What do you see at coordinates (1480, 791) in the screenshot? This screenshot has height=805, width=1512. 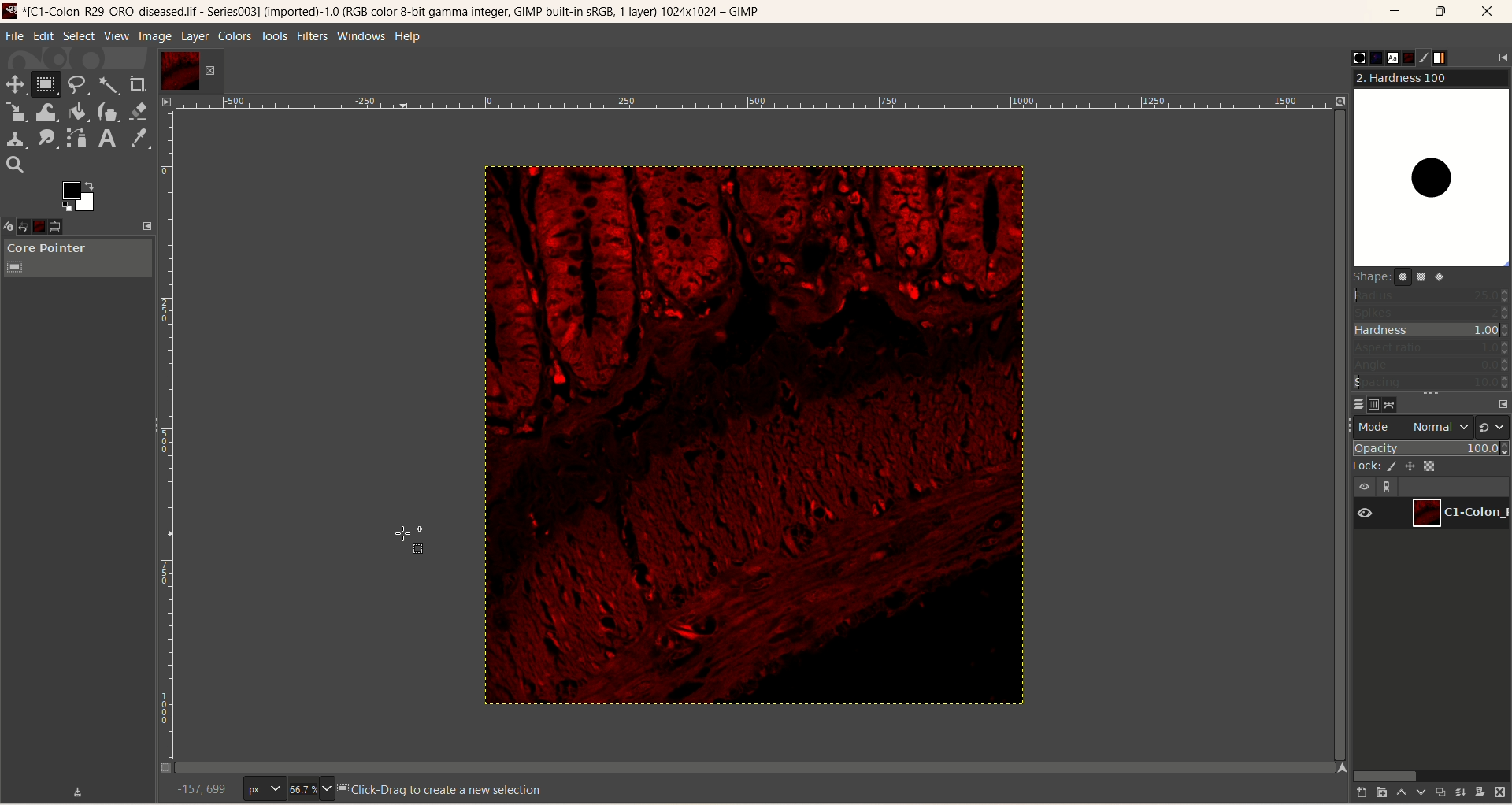 I see `add a mask` at bounding box center [1480, 791].